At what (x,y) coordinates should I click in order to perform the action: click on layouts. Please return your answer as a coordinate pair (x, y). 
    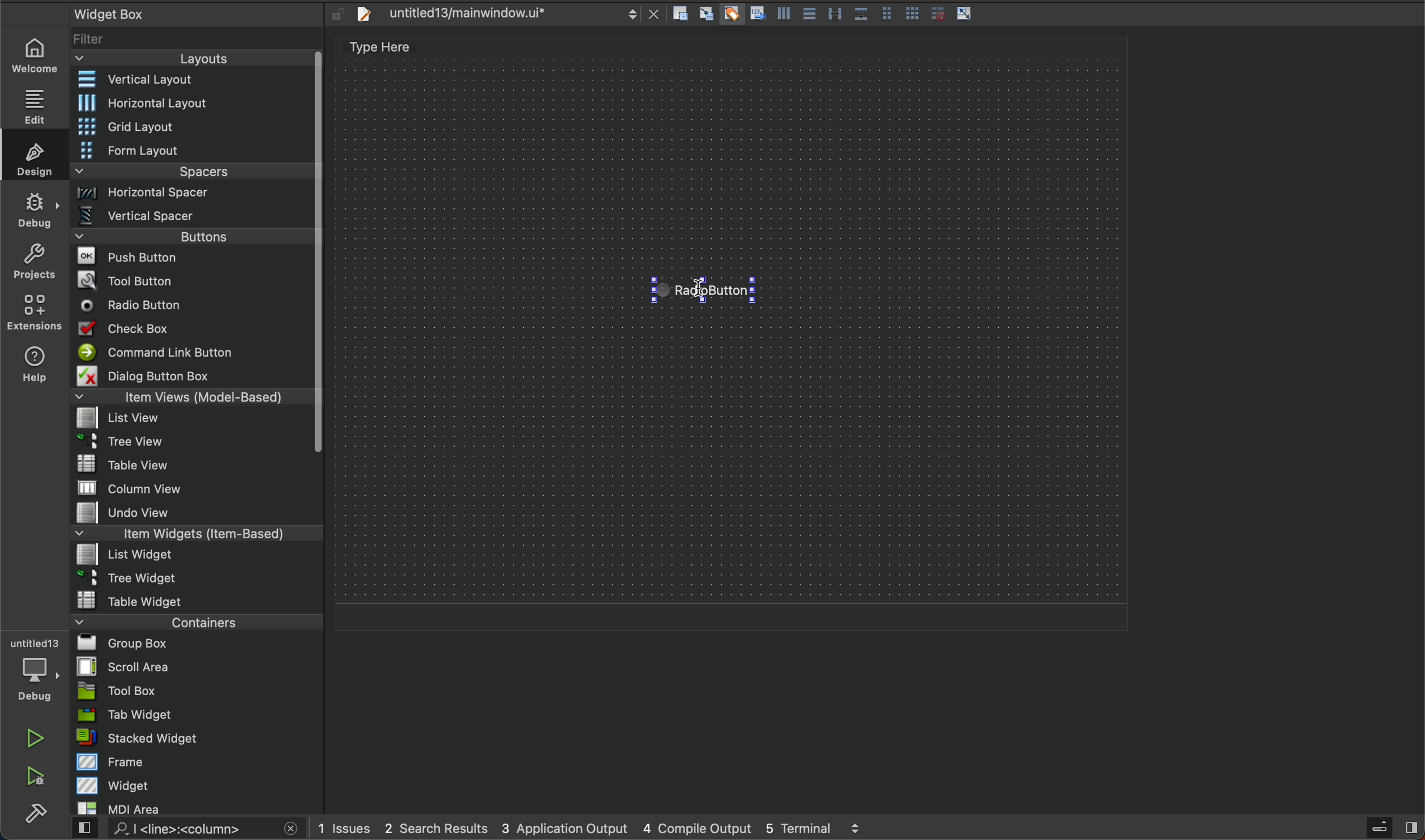
    Looking at the image, I should click on (192, 62).